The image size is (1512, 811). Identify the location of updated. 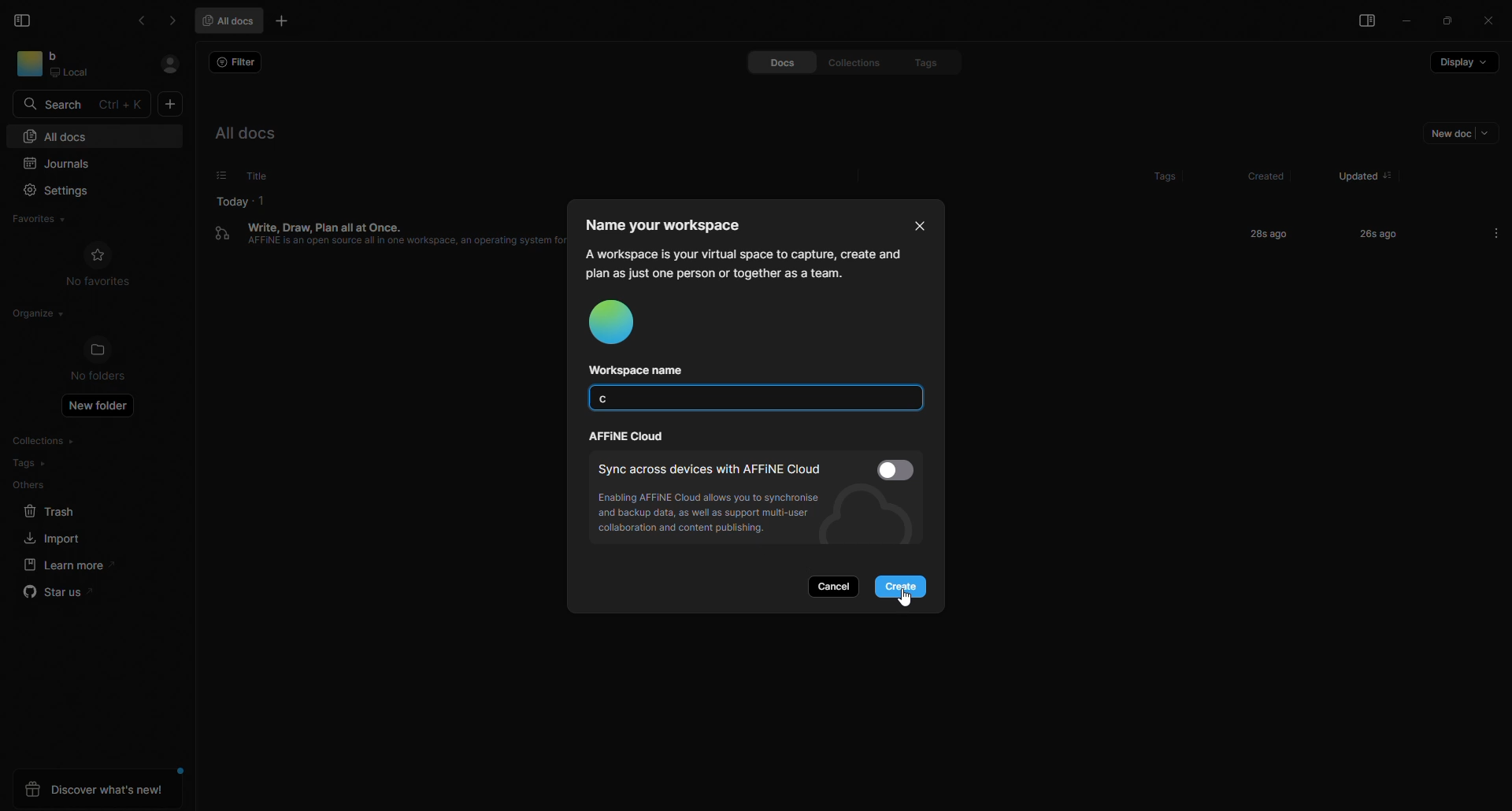
(1352, 170).